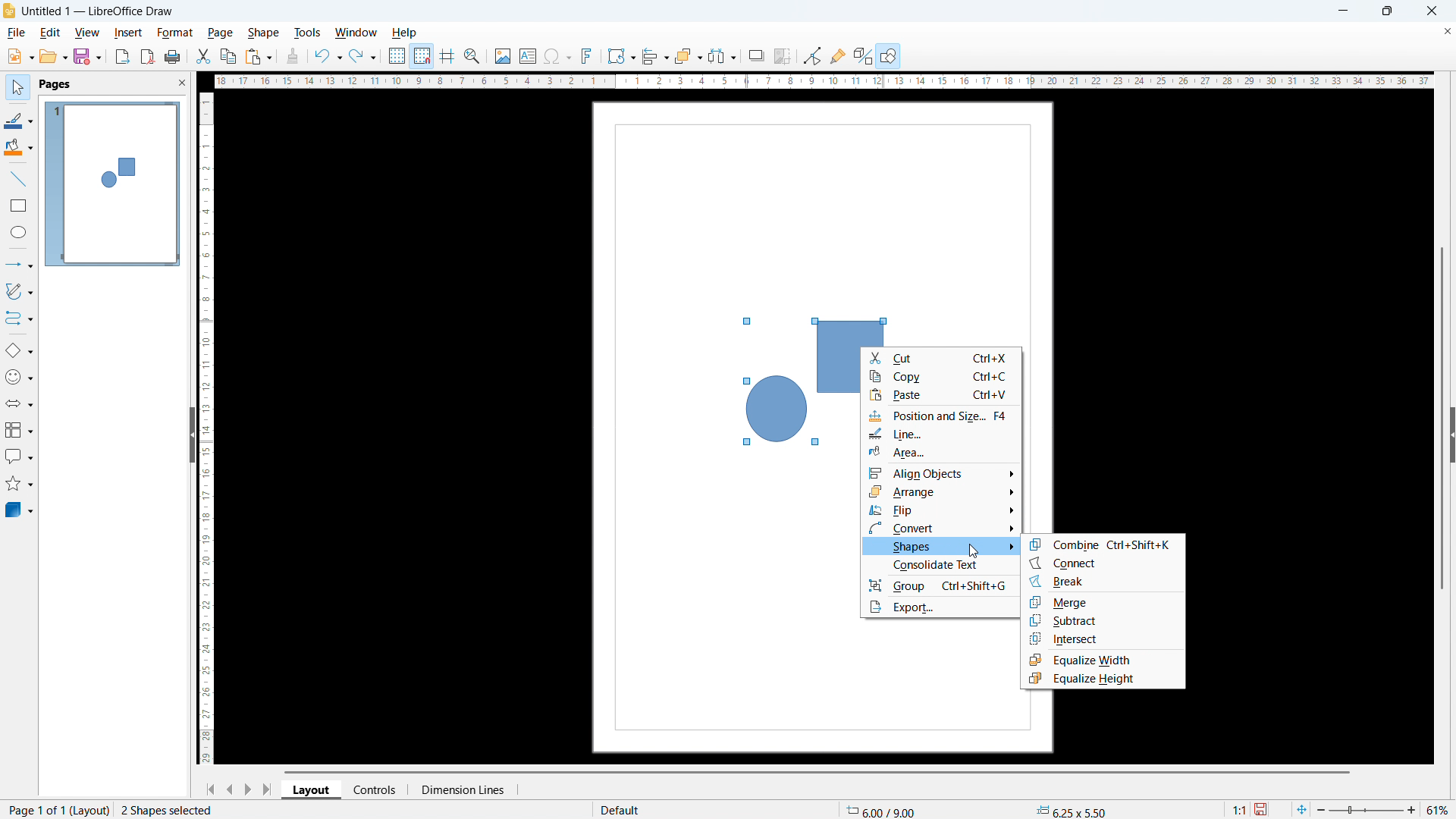 The image size is (1456, 819). What do you see at coordinates (1301, 809) in the screenshot?
I see `fit to page` at bounding box center [1301, 809].